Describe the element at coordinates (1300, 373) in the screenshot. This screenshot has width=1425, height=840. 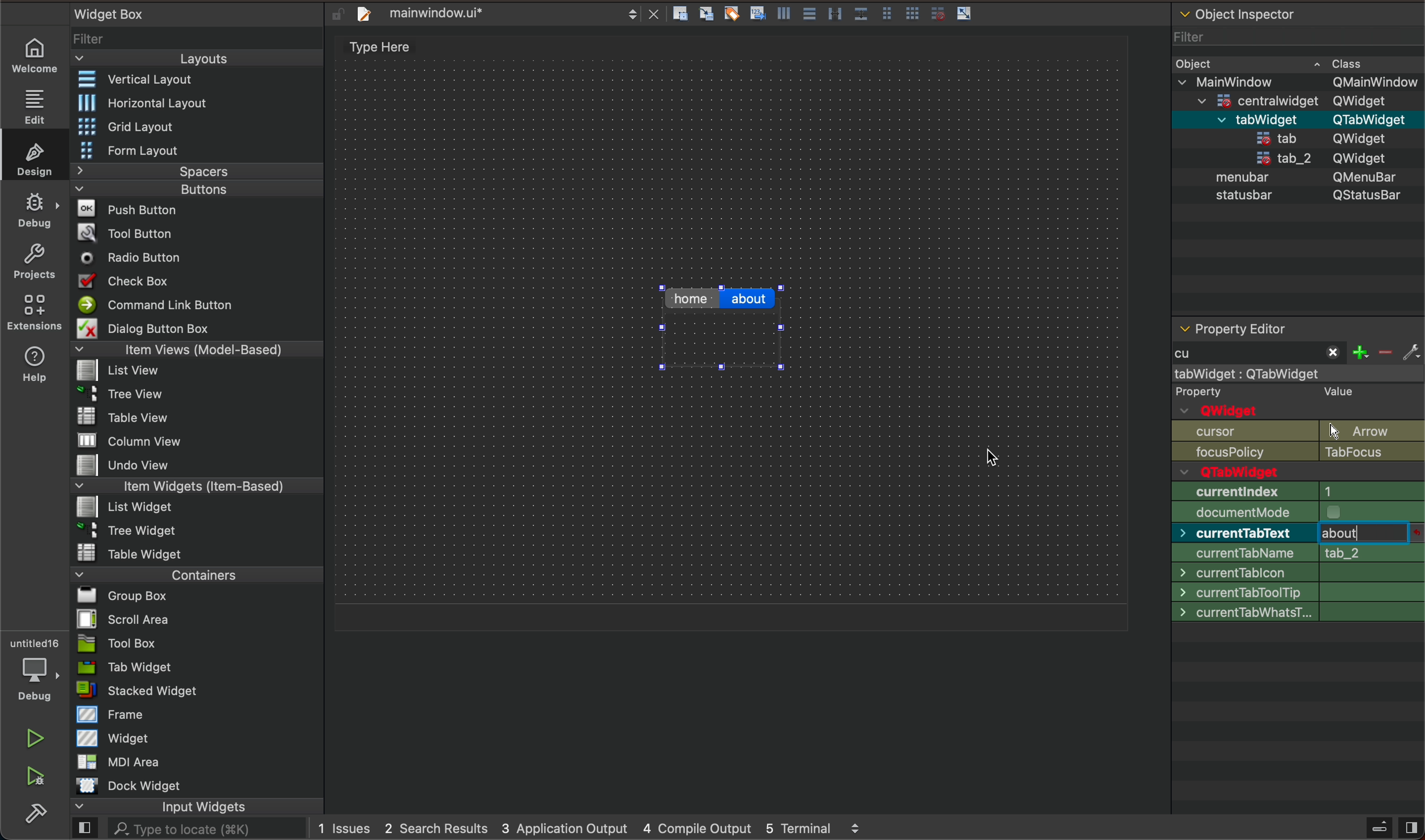
I see `mainwindow` at that location.